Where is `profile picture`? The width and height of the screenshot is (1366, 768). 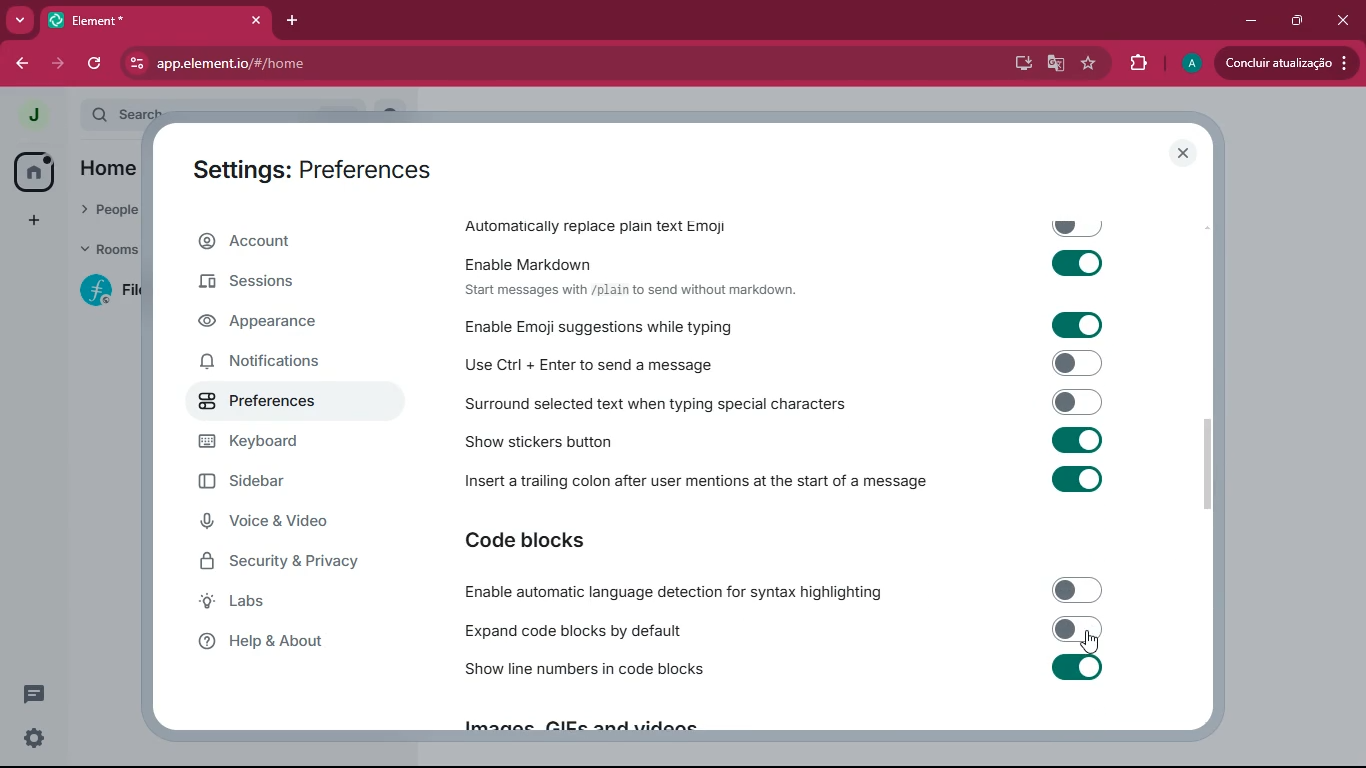 profile picture is located at coordinates (1190, 64).